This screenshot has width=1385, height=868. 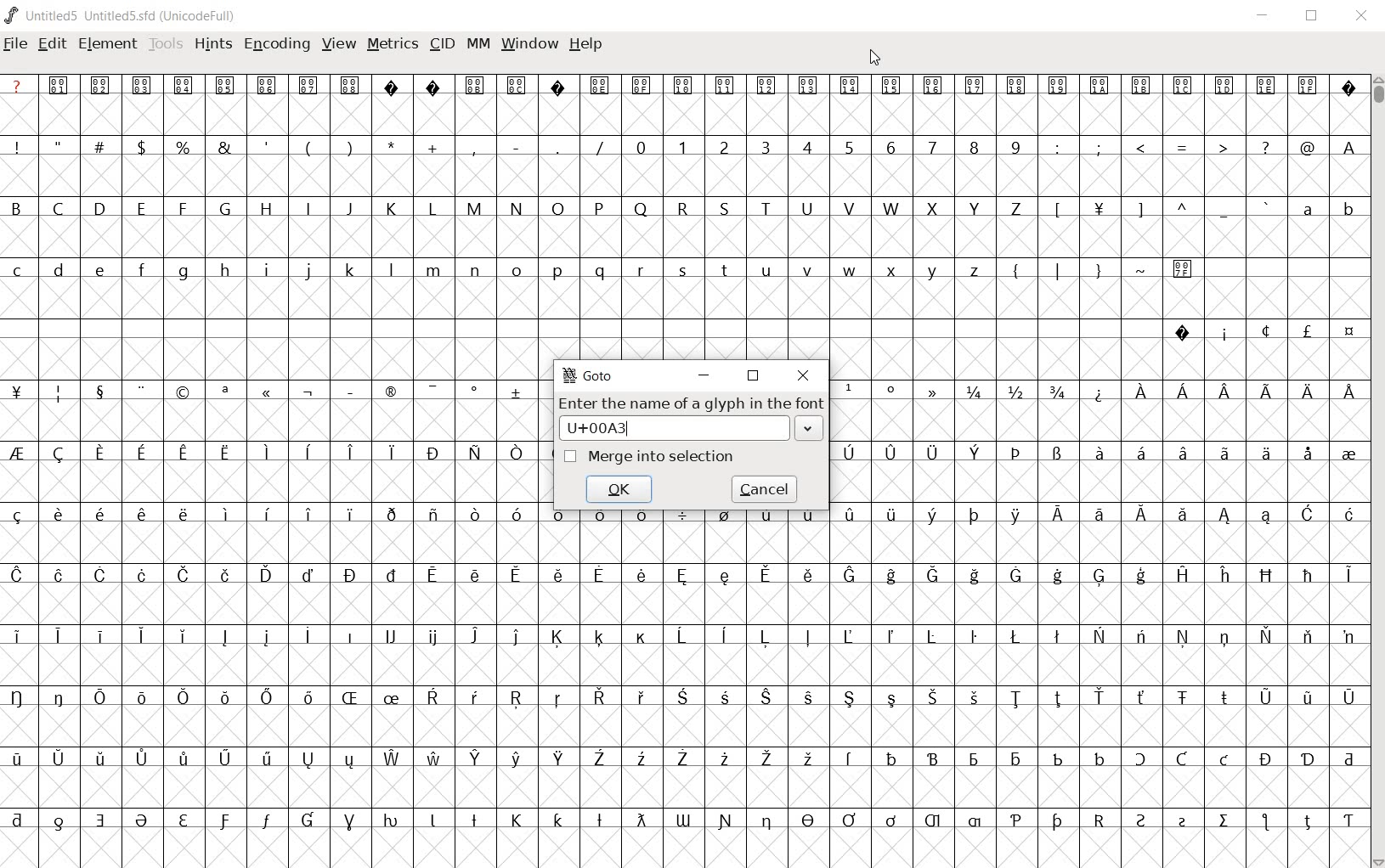 What do you see at coordinates (432, 516) in the screenshot?
I see `Symbol` at bounding box center [432, 516].